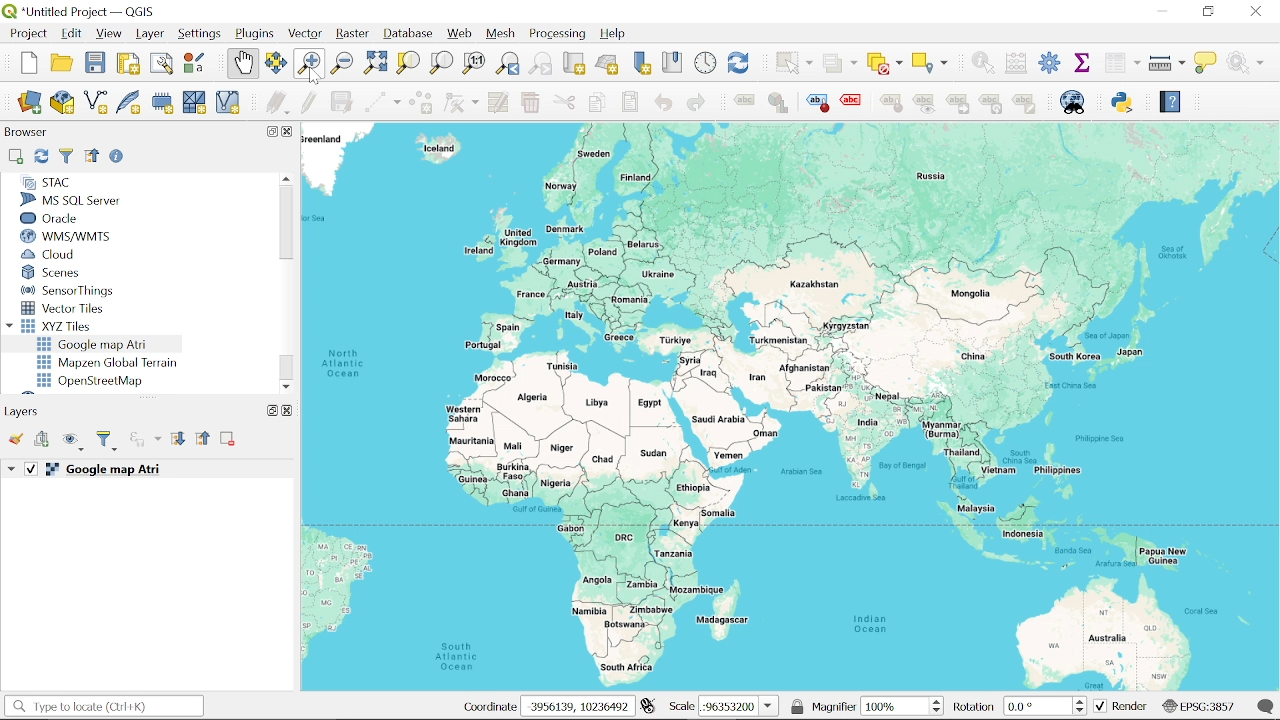 This screenshot has height=720, width=1280. I want to click on Orade, so click(67, 218).